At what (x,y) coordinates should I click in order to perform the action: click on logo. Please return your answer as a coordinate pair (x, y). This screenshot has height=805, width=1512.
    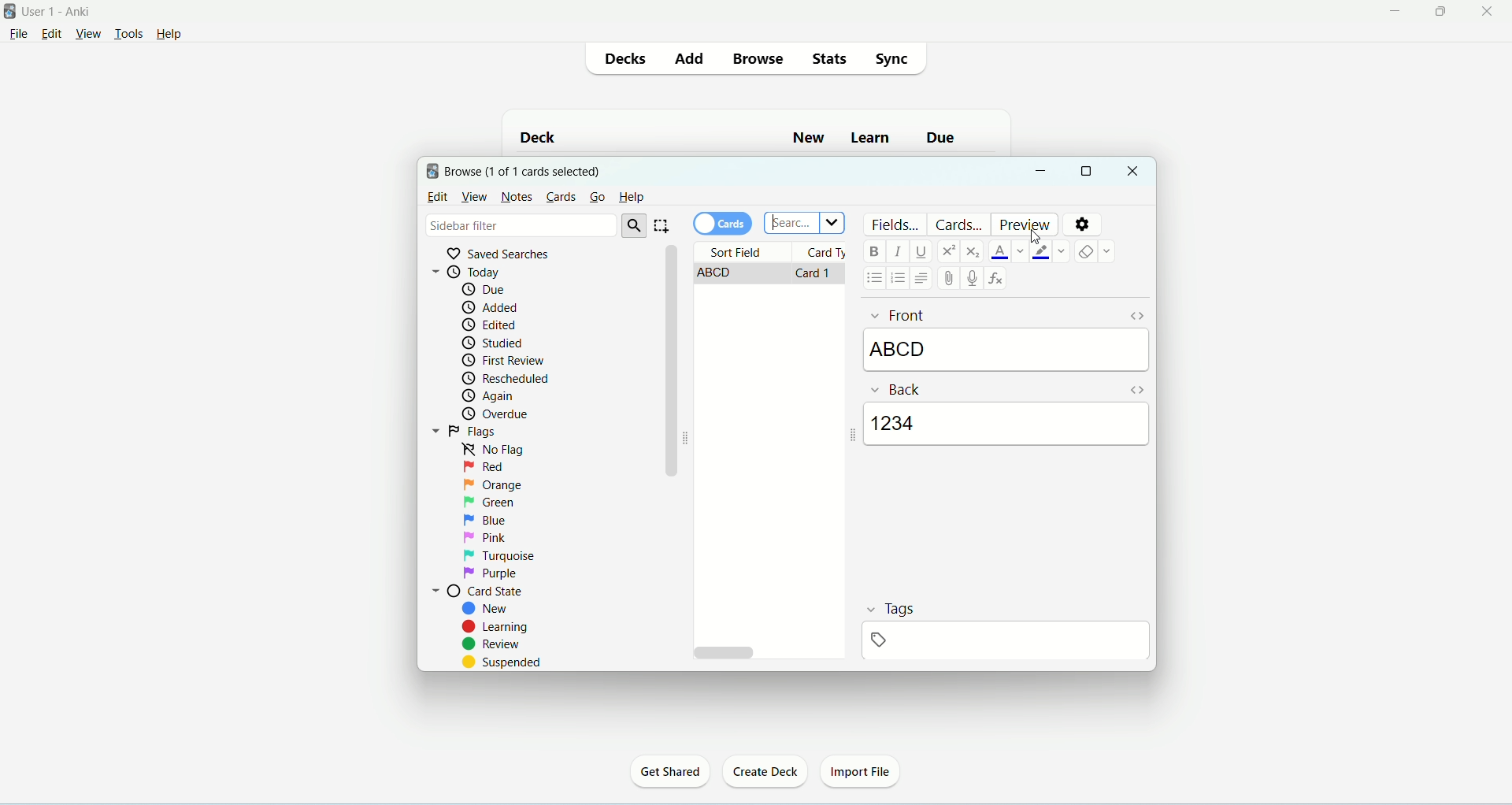
    Looking at the image, I should click on (9, 11).